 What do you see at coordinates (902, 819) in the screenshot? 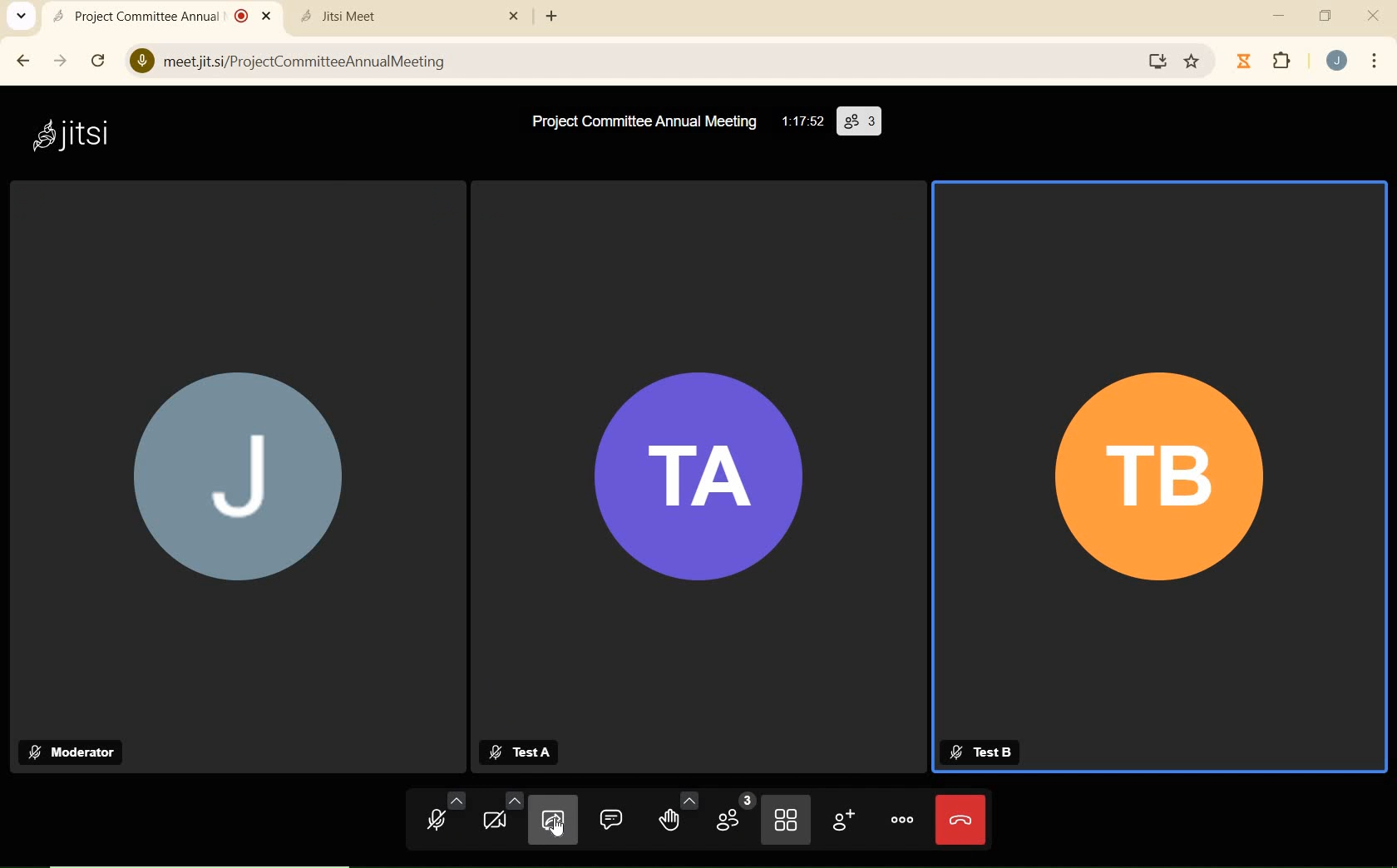
I see `more actions` at bounding box center [902, 819].